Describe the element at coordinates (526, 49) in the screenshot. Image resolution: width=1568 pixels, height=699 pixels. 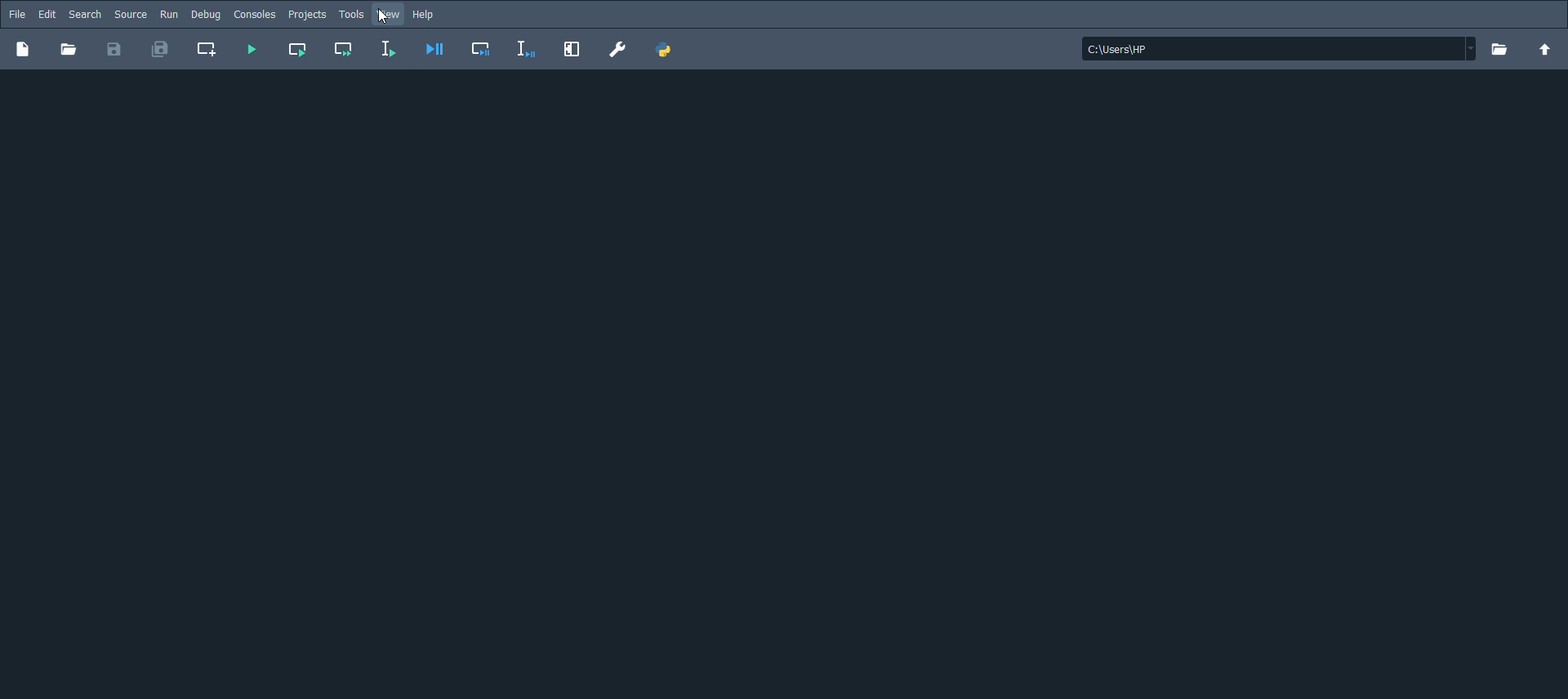
I see `Debug selection or current line` at that location.